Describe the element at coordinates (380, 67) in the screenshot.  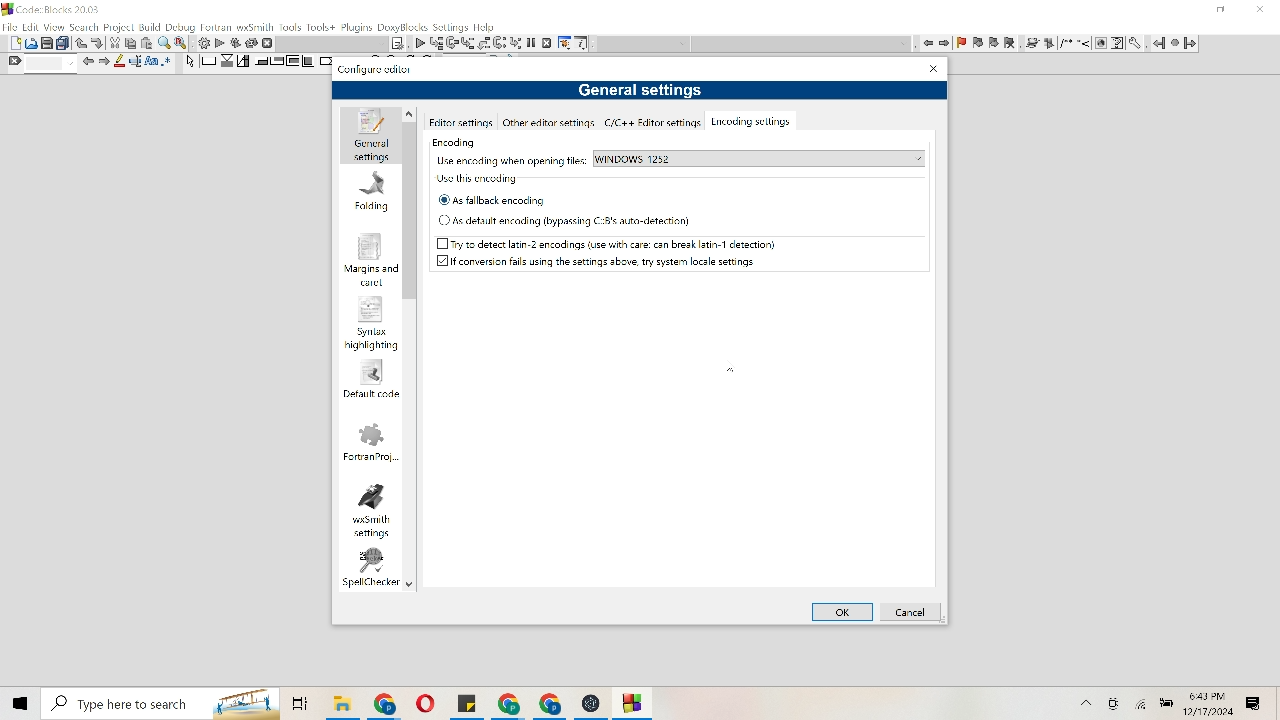
I see `Configure editor` at that location.